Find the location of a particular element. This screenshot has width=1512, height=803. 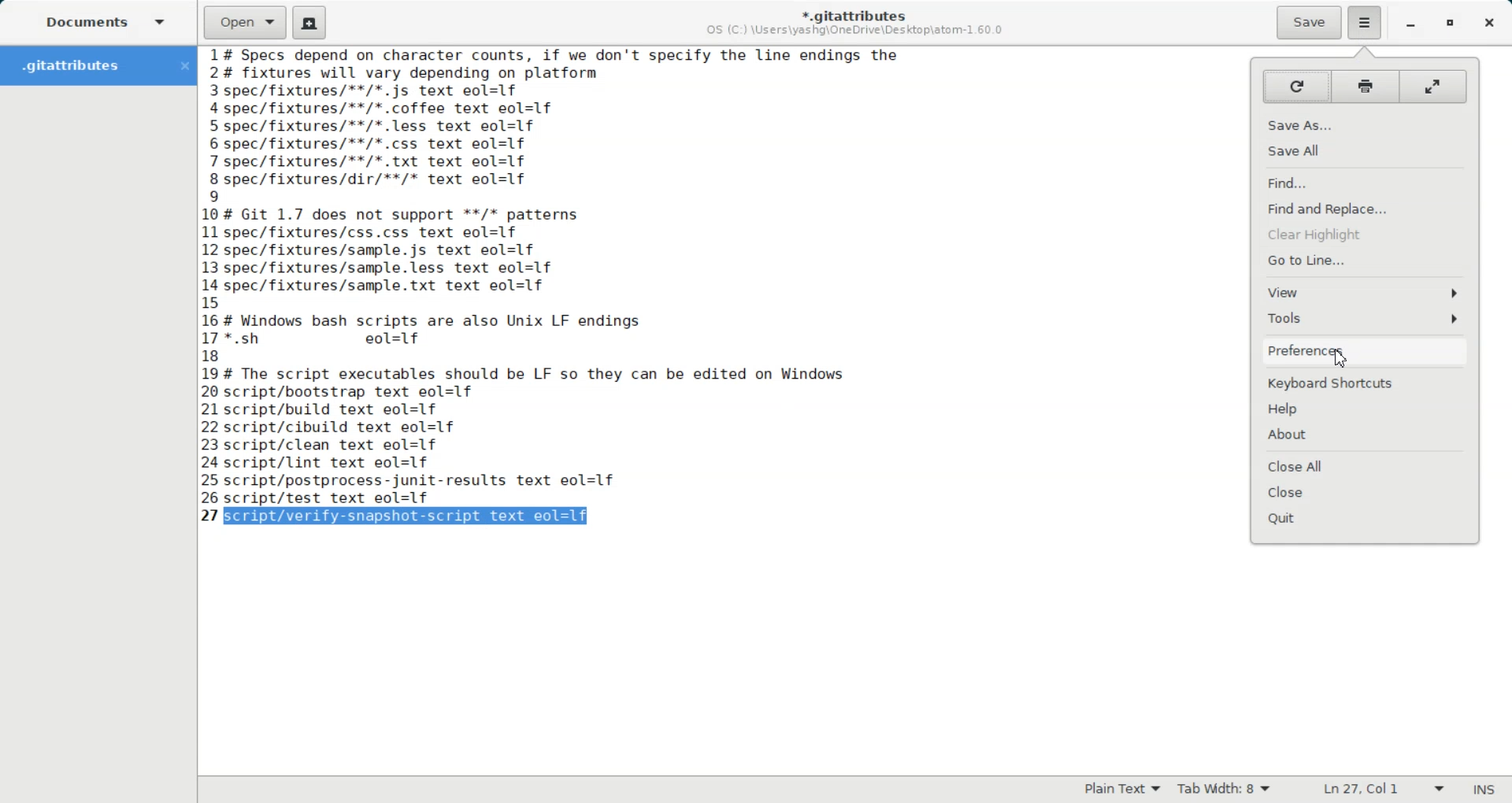

Clear Highlight is located at coordinates (1366, 232).